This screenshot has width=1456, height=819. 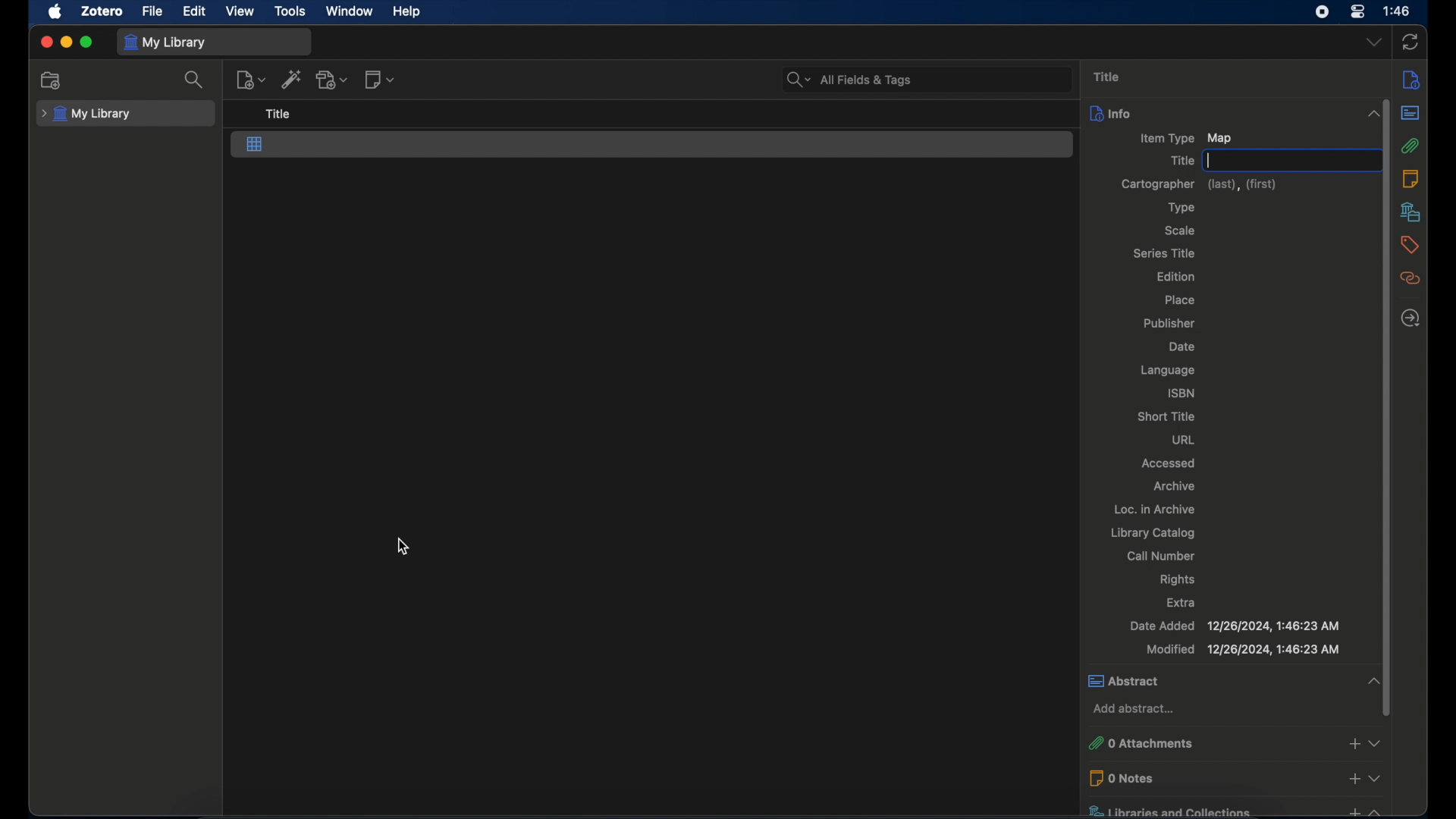 What do you see at coordinates (193, 11) in the screenshot?
I see `edit` at bounding box center [193, 11].